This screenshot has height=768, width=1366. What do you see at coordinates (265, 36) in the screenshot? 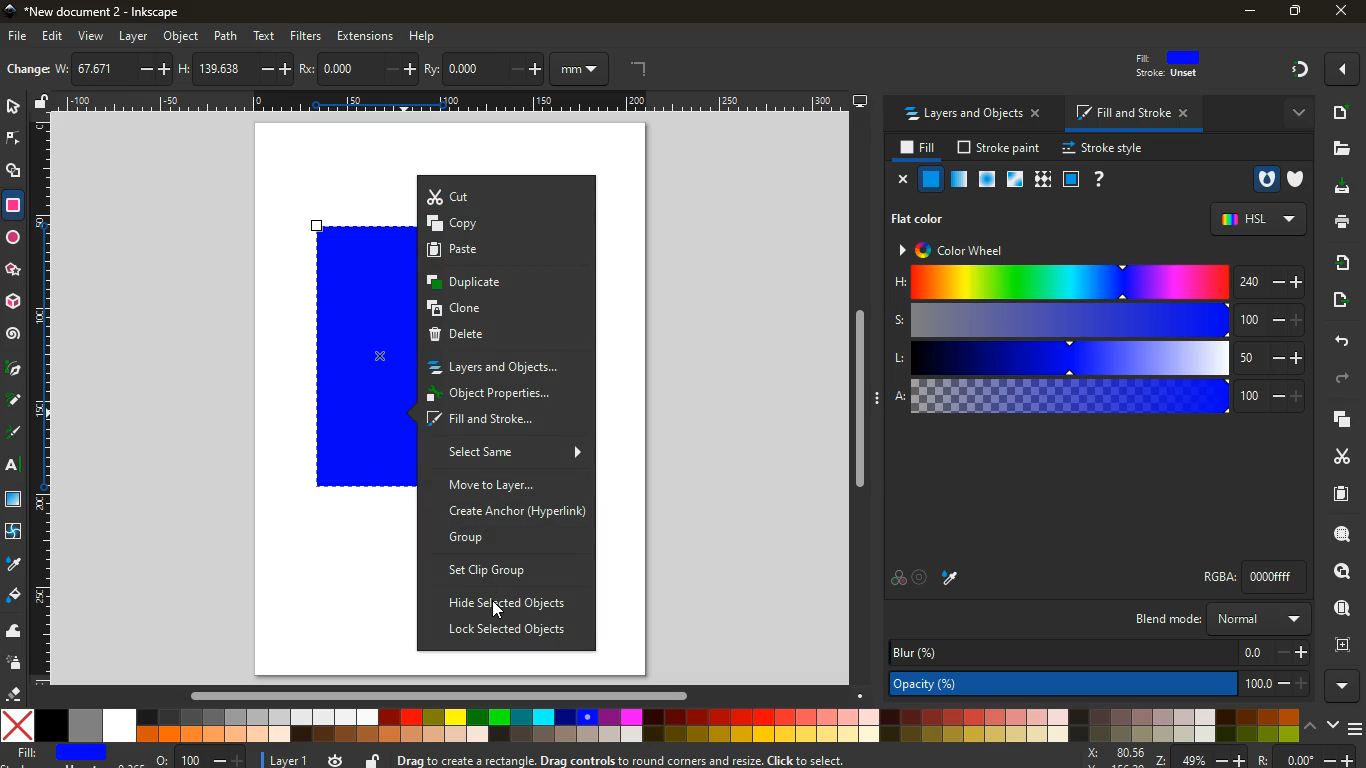
I see `text` at bounding box center [265, 36].